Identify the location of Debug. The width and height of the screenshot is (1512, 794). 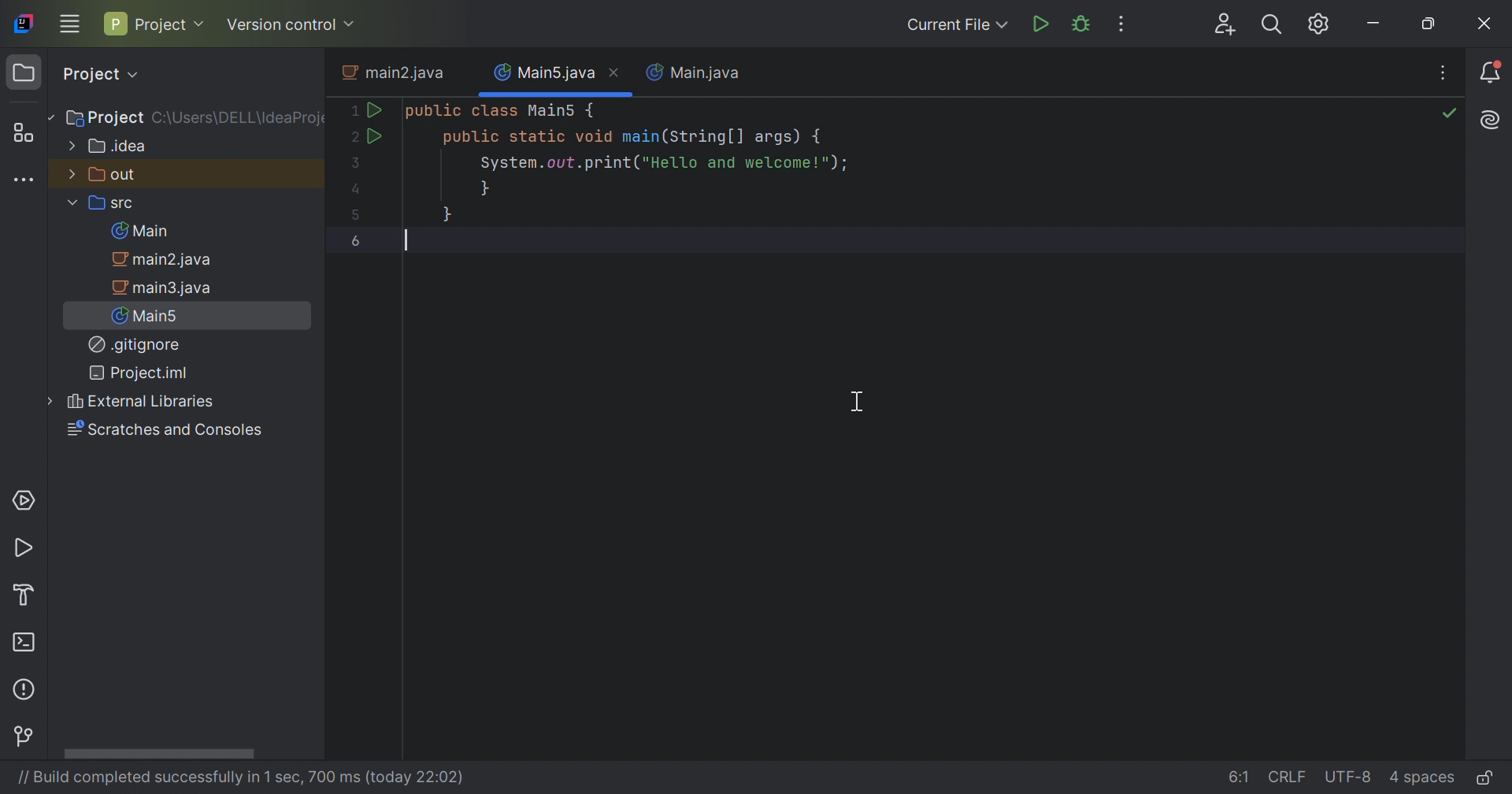
(1084, 24).